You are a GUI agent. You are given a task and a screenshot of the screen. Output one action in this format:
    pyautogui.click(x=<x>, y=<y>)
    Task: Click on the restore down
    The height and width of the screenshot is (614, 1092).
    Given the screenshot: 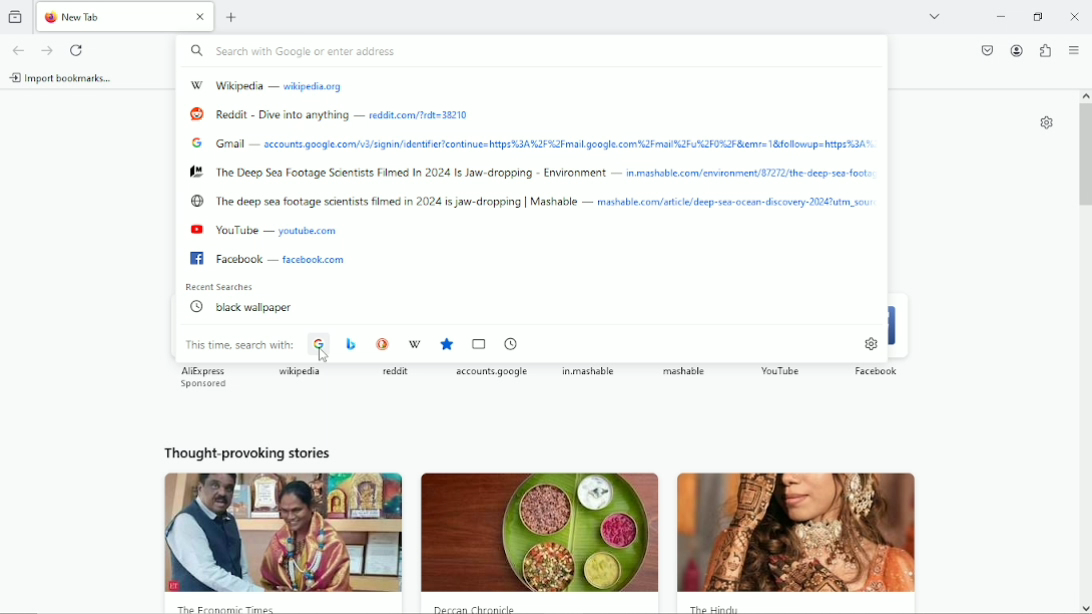 What is the action you would take?
    pyautogui.click(x=1038, y=16)
    